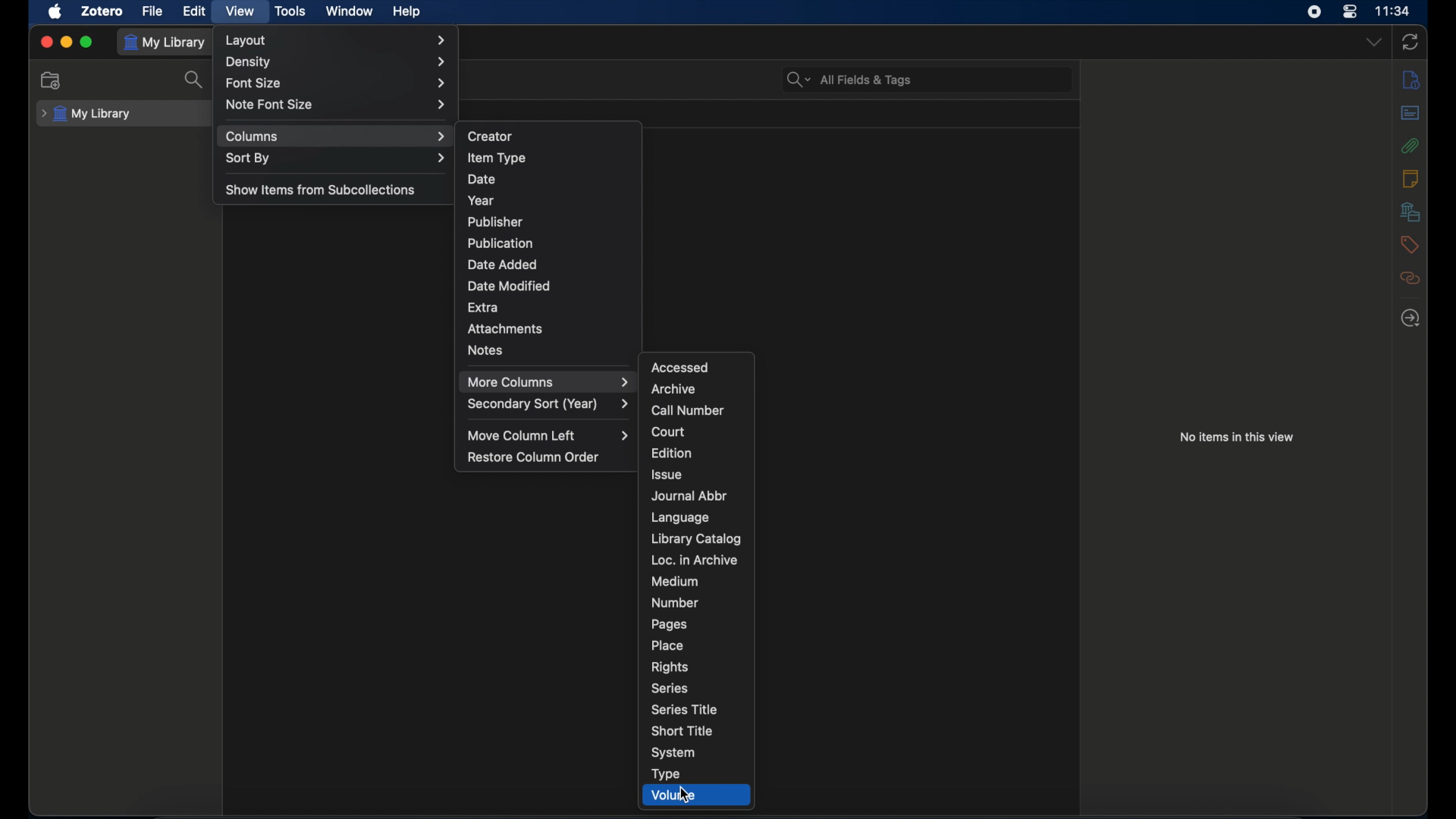 The width and height of the screenshot is (1456, 819). Describe the element at coordinates (683, 710) in the screenshot. I see `series title` at that location.